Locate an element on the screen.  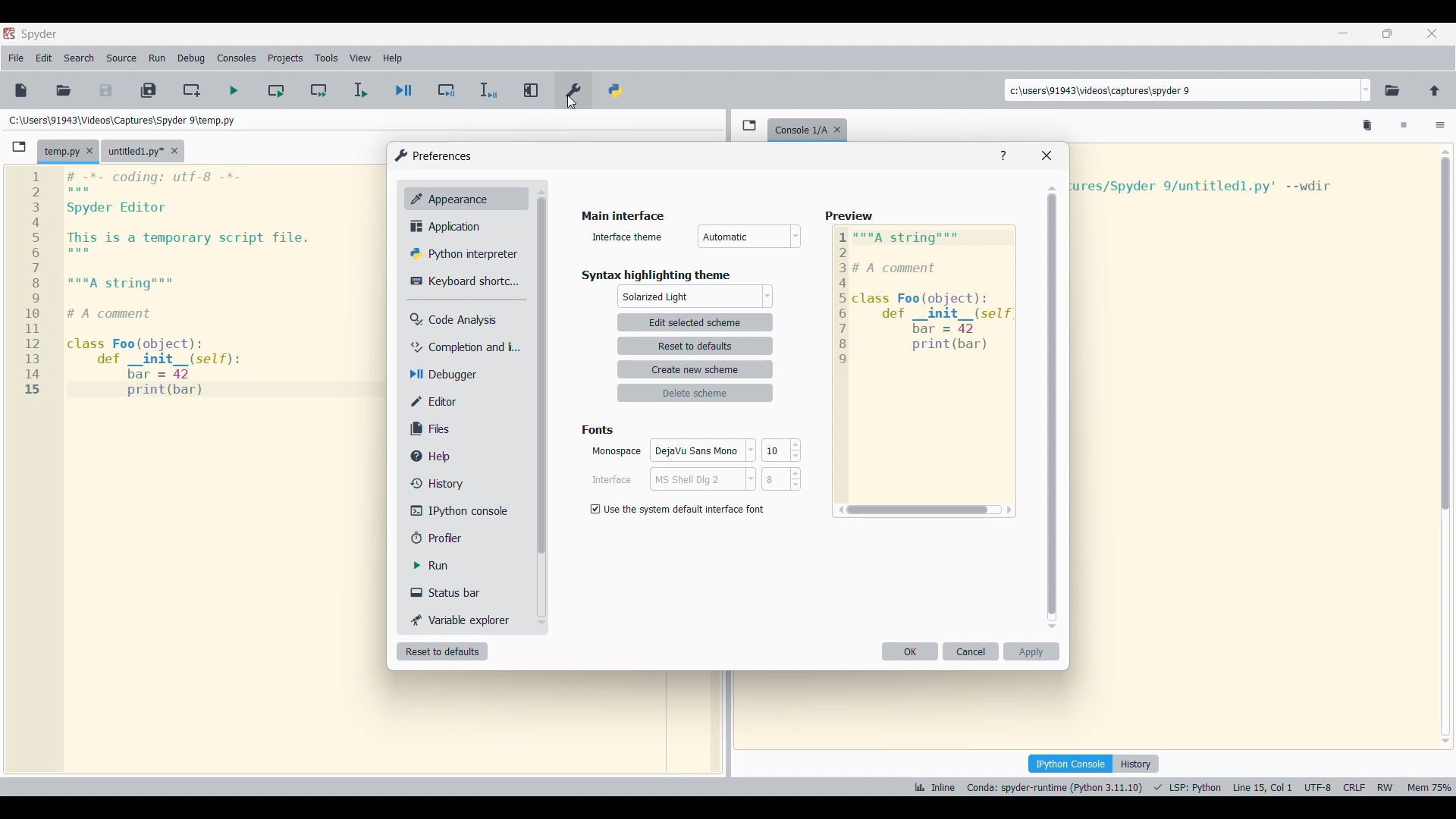
Interrupt kernel is located at coordinates (1404, 126).